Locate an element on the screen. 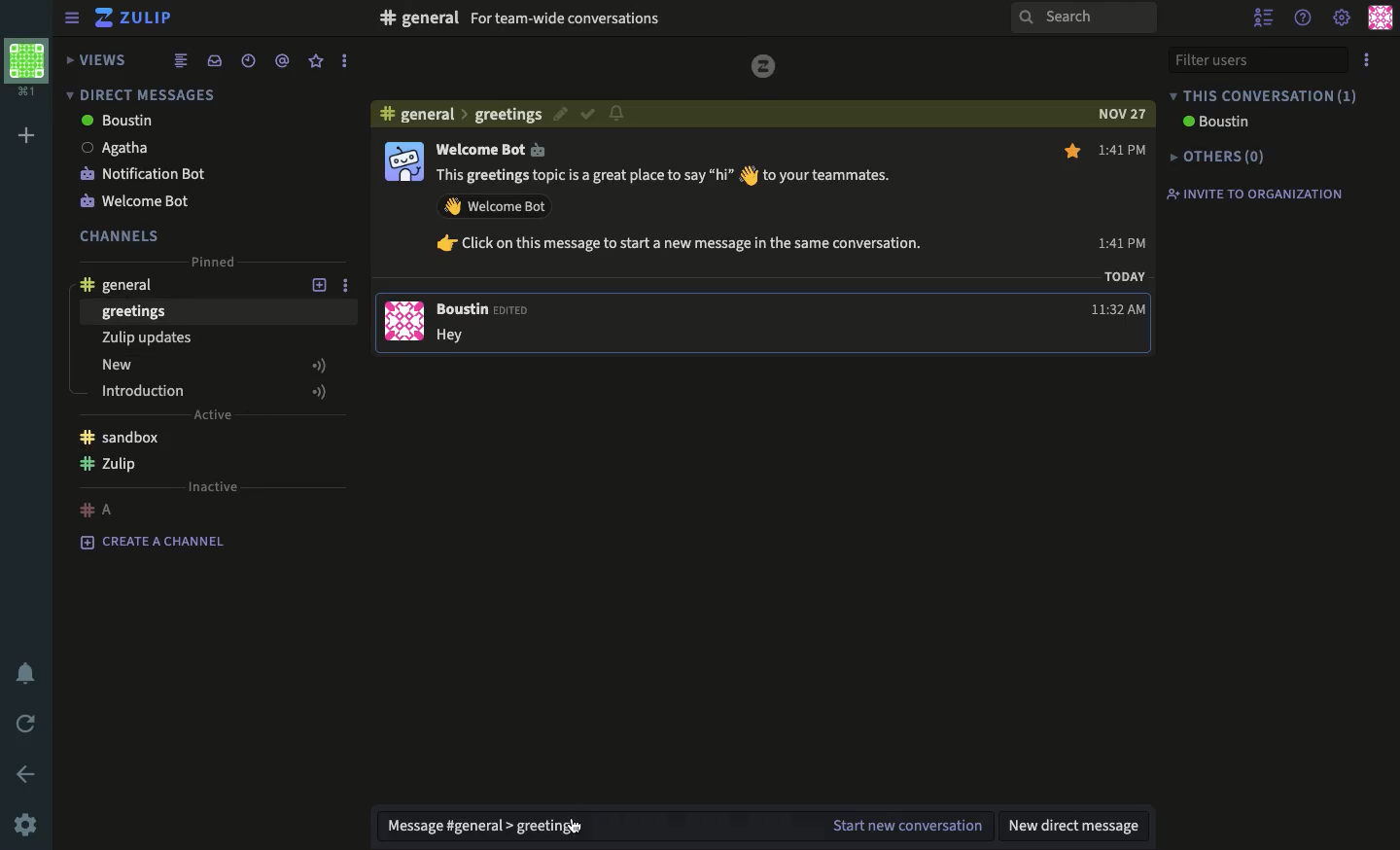 This screenshot has width=1400, height=850. options is located at coordinates (351, 287).